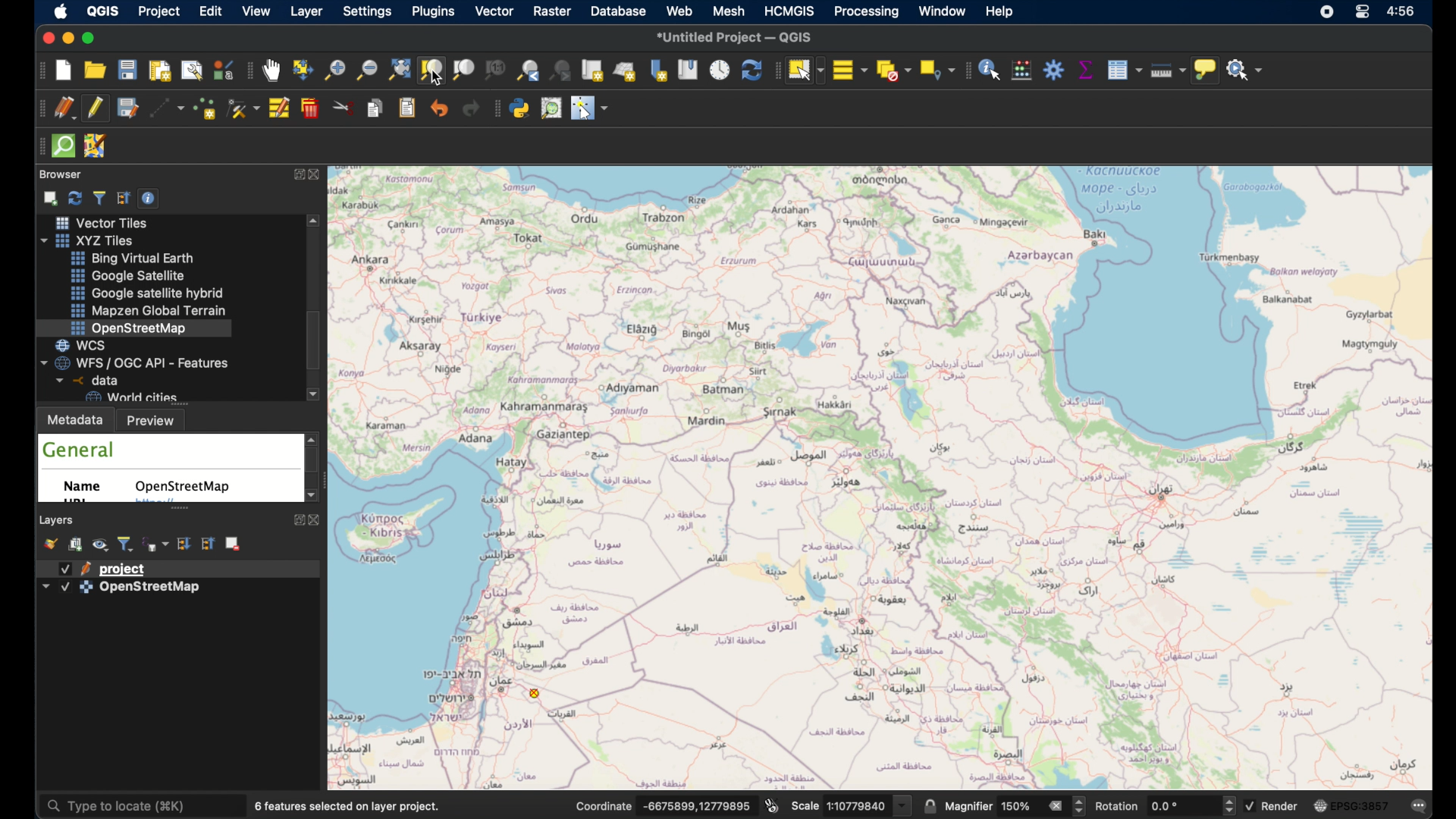 The width and height of the screenshot is (1456, 819). What do you see at coordinates (151, 197) in the screenshot?
I see `enable/disbale properties widget` at bounding box center [151, 197].